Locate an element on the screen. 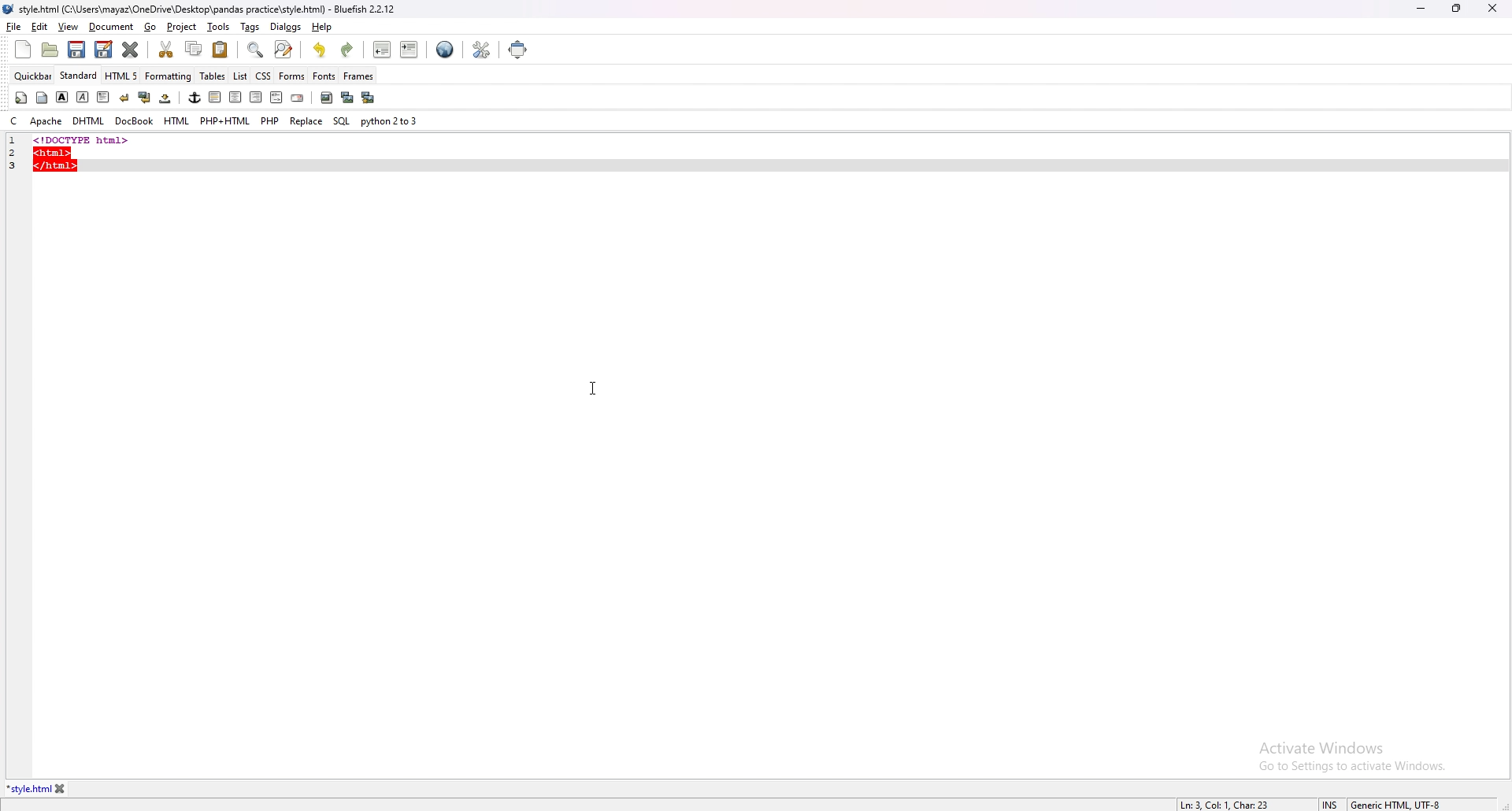 Image resolution: width=1512 pixels, height=811 pixels. indent is located at coordinates (409, 49).